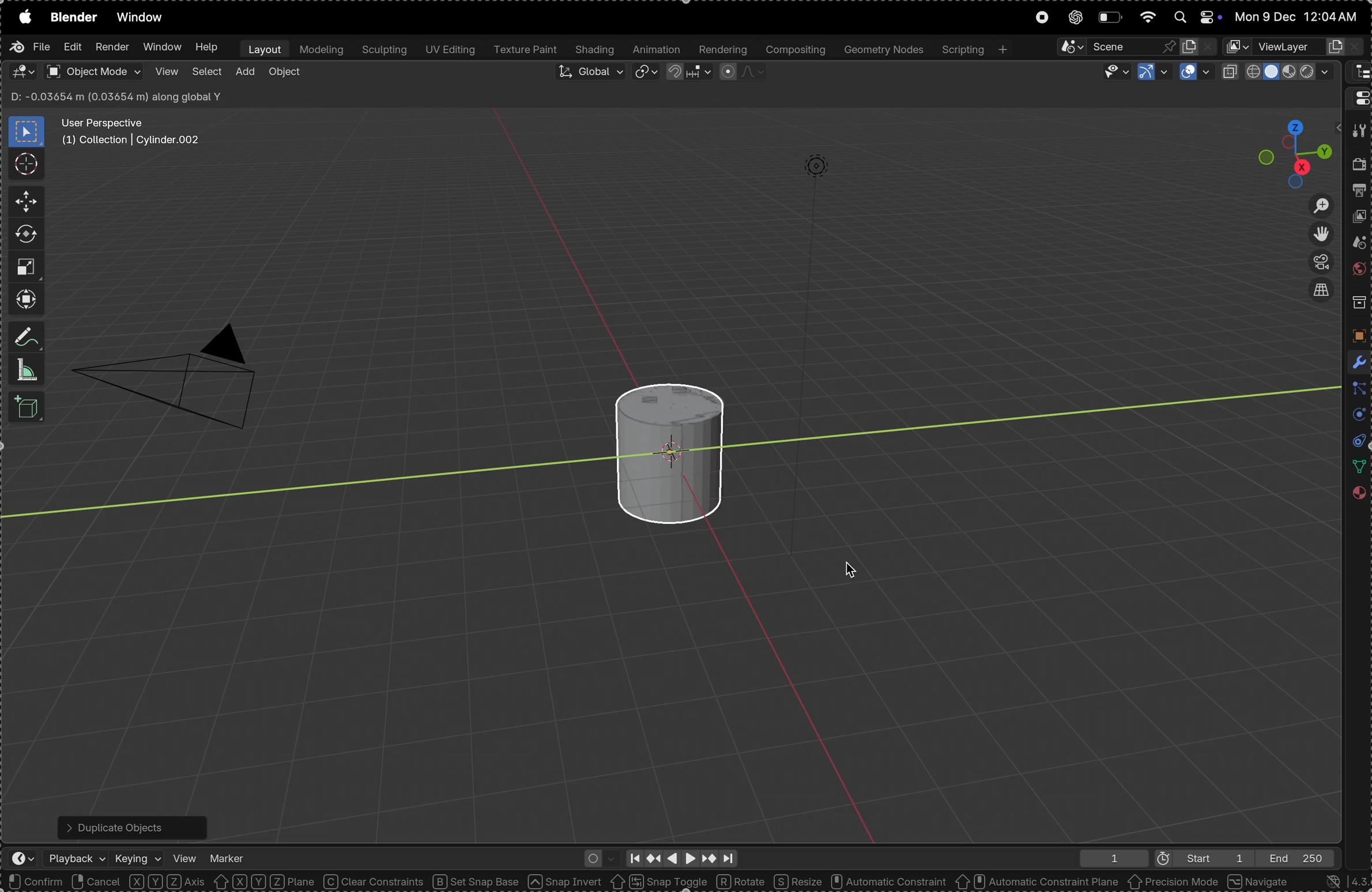 Image resolution: width=1372 pixels, height=892 pixels. Describe the element at coordinates (22, 202) in the screenshot. I see `move` at that location.